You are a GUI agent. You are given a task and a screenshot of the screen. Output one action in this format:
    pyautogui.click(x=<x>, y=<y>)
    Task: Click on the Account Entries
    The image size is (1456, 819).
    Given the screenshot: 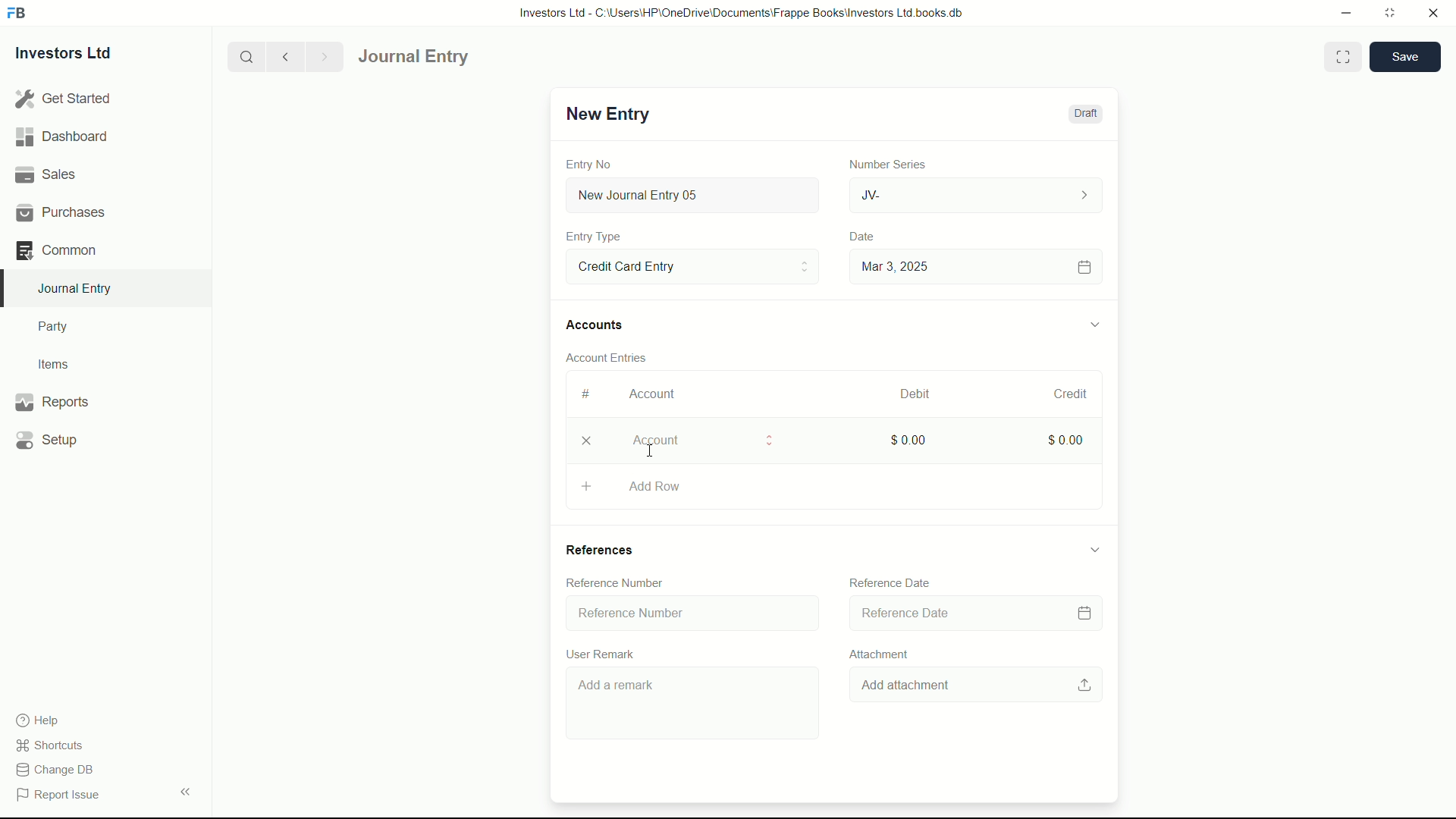 What is the action you would take?
    pyautogui.click(x=613, y=355)
    